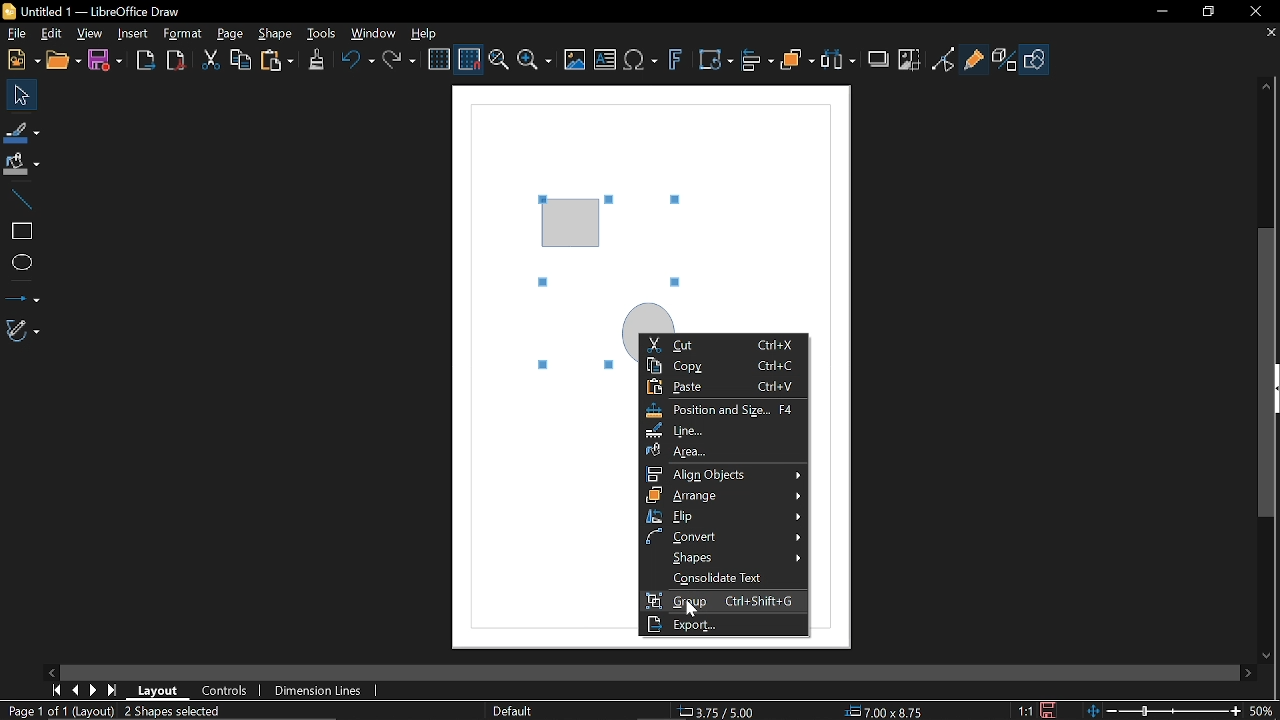  I want to click on Toggle point of view, so click(943, 61).